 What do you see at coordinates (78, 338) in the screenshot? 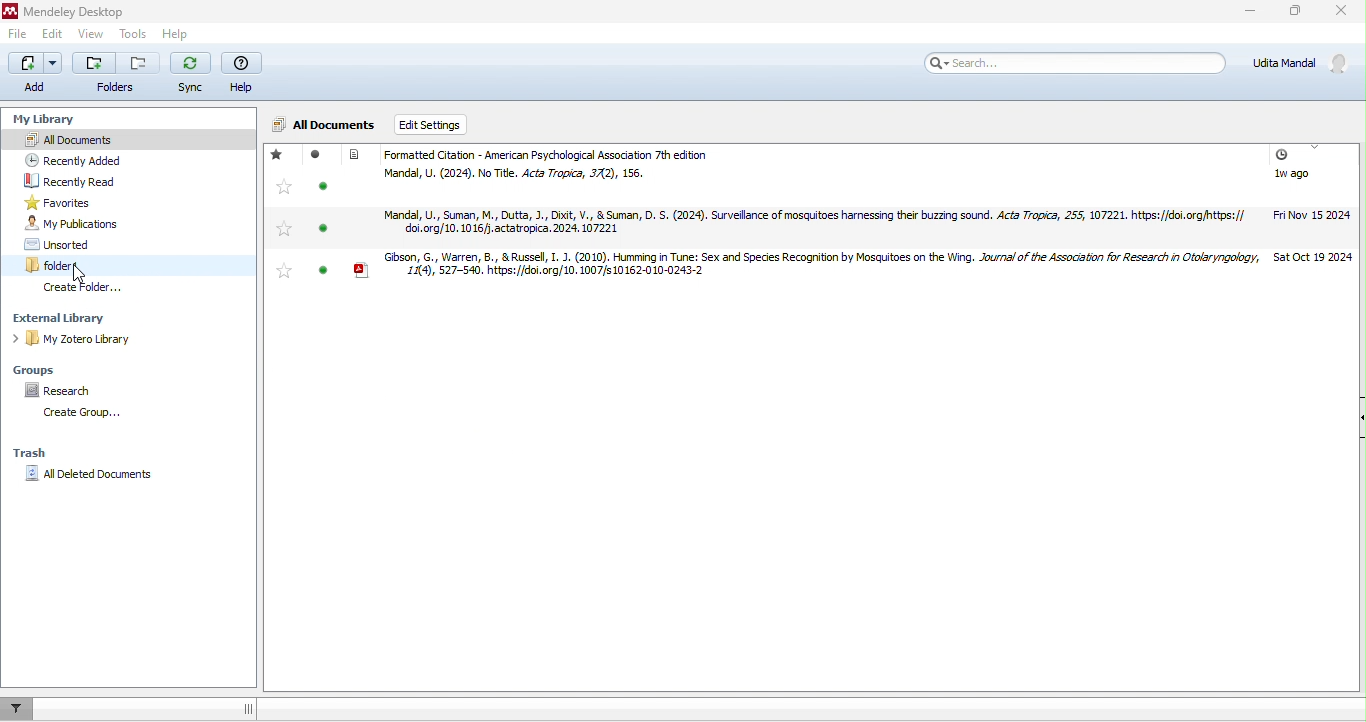
I see `my zotero library` at bounding box center [78, 338].